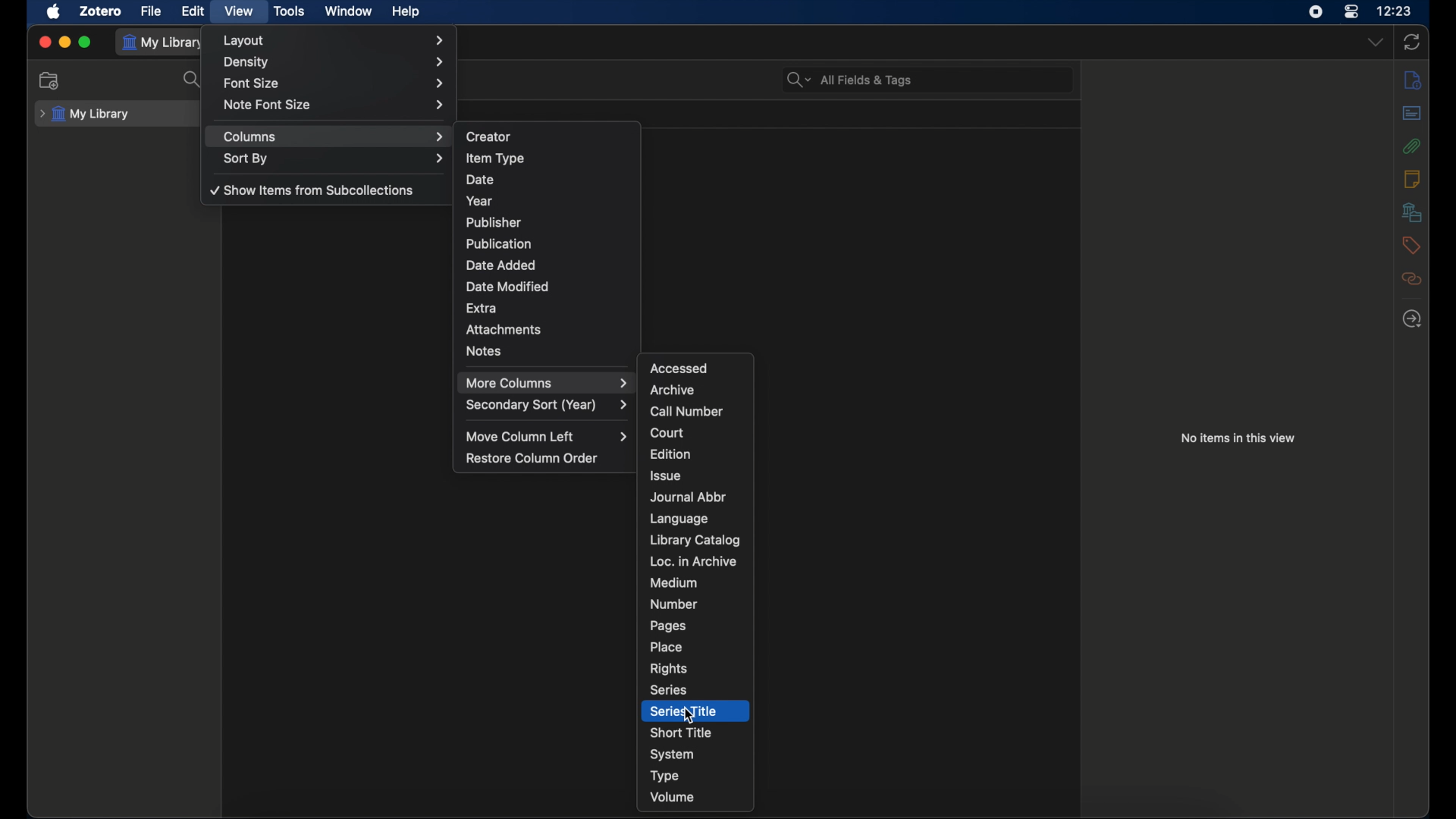 This screenshot has height=819, width=1456. I want to click on edit, so click(193, 11).